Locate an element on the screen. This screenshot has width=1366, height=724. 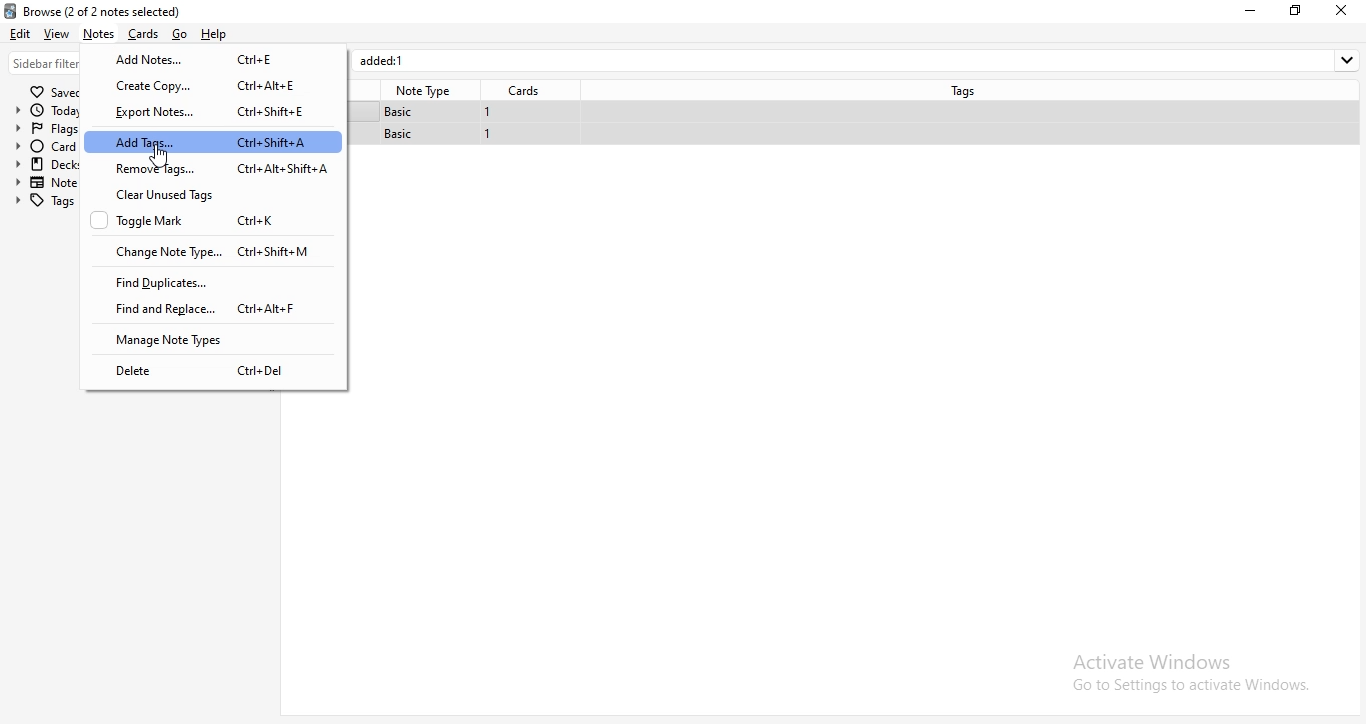
add notes is located at coordinates (220, 58).